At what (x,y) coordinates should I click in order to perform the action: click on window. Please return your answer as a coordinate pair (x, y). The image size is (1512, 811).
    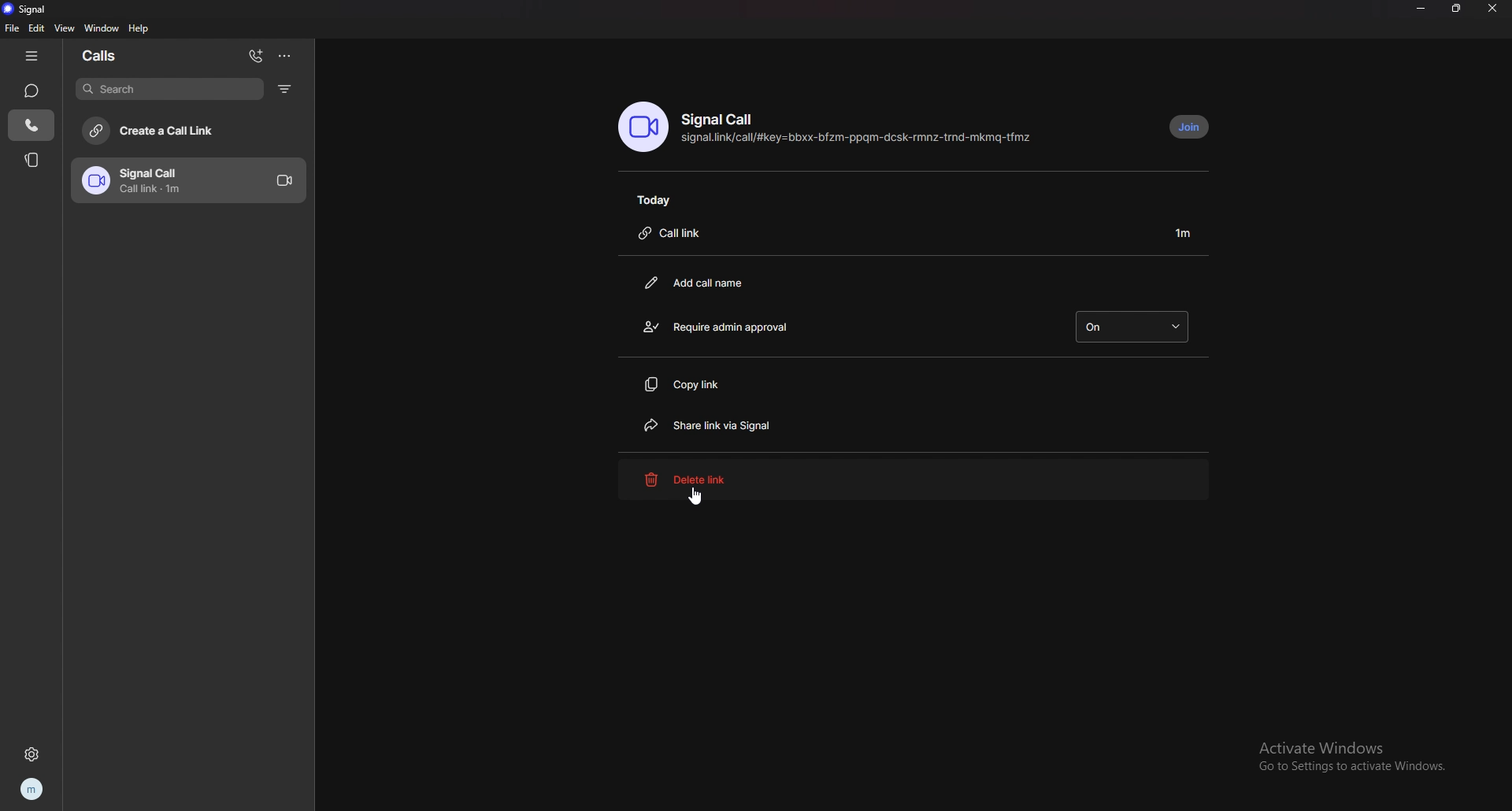
    Looking at the image, I should click on (102, 28).